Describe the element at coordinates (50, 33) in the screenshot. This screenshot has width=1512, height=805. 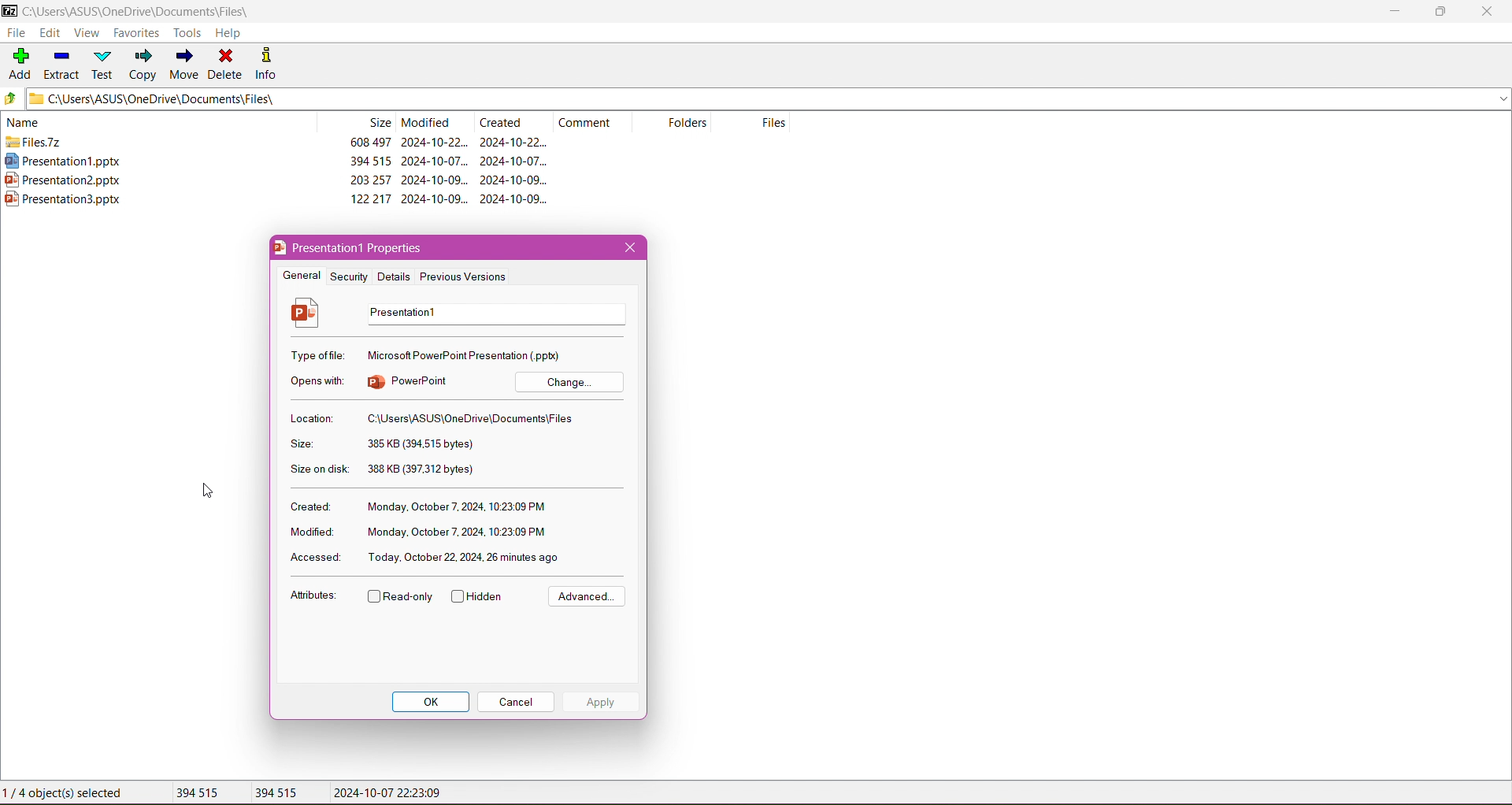
I see `Edit` at that location.